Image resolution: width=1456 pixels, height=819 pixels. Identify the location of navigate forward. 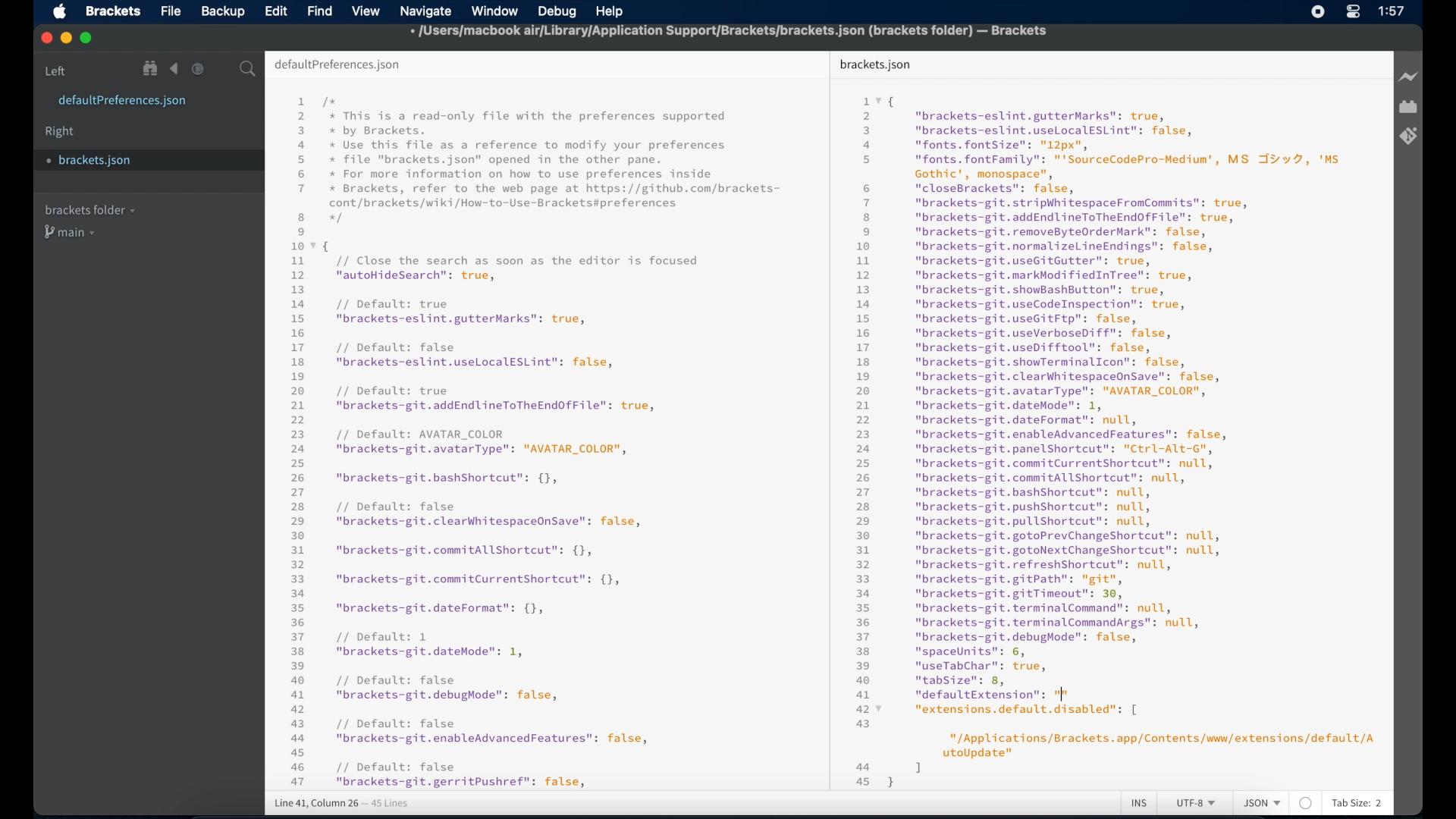
(198, 69).